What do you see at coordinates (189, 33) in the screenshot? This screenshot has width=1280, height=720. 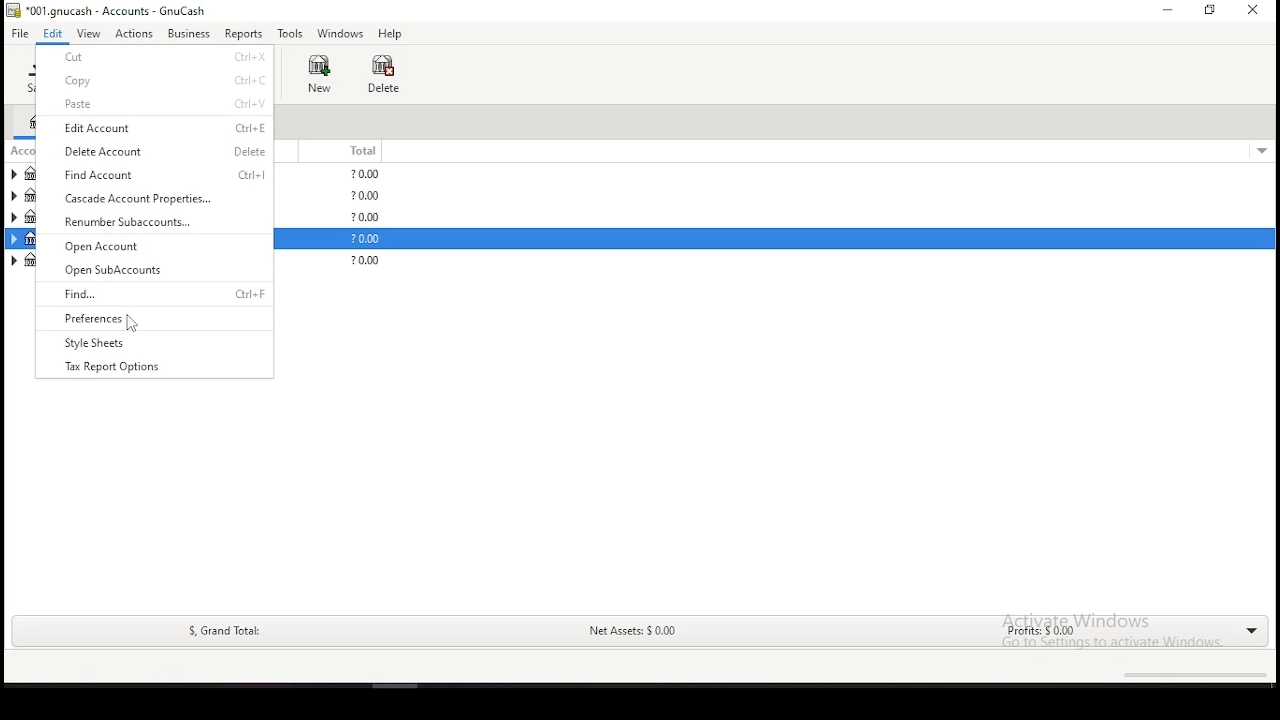 I see `business` at bounding box center [189, 33].